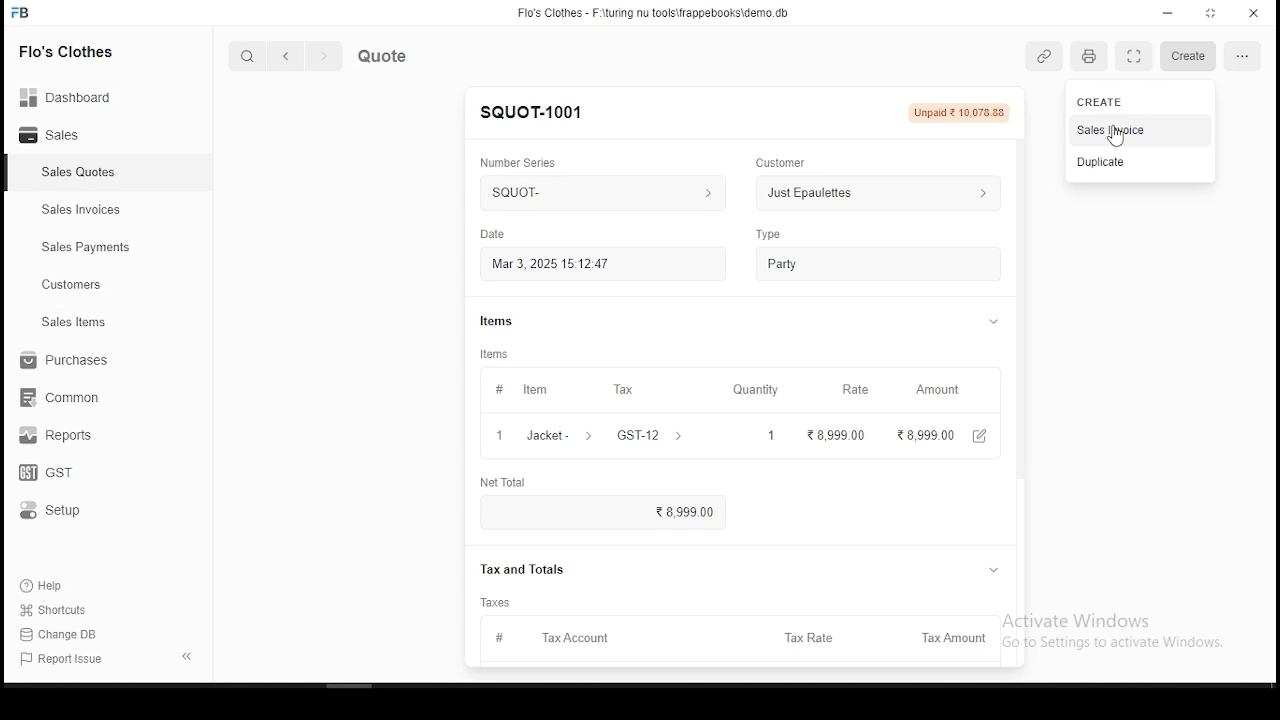 This screenshot has height=720, width=1280. What do you see at coordinates (531, 571) in the screenshot?
I see `Tax and Totals` at bounding box center [531, 571].